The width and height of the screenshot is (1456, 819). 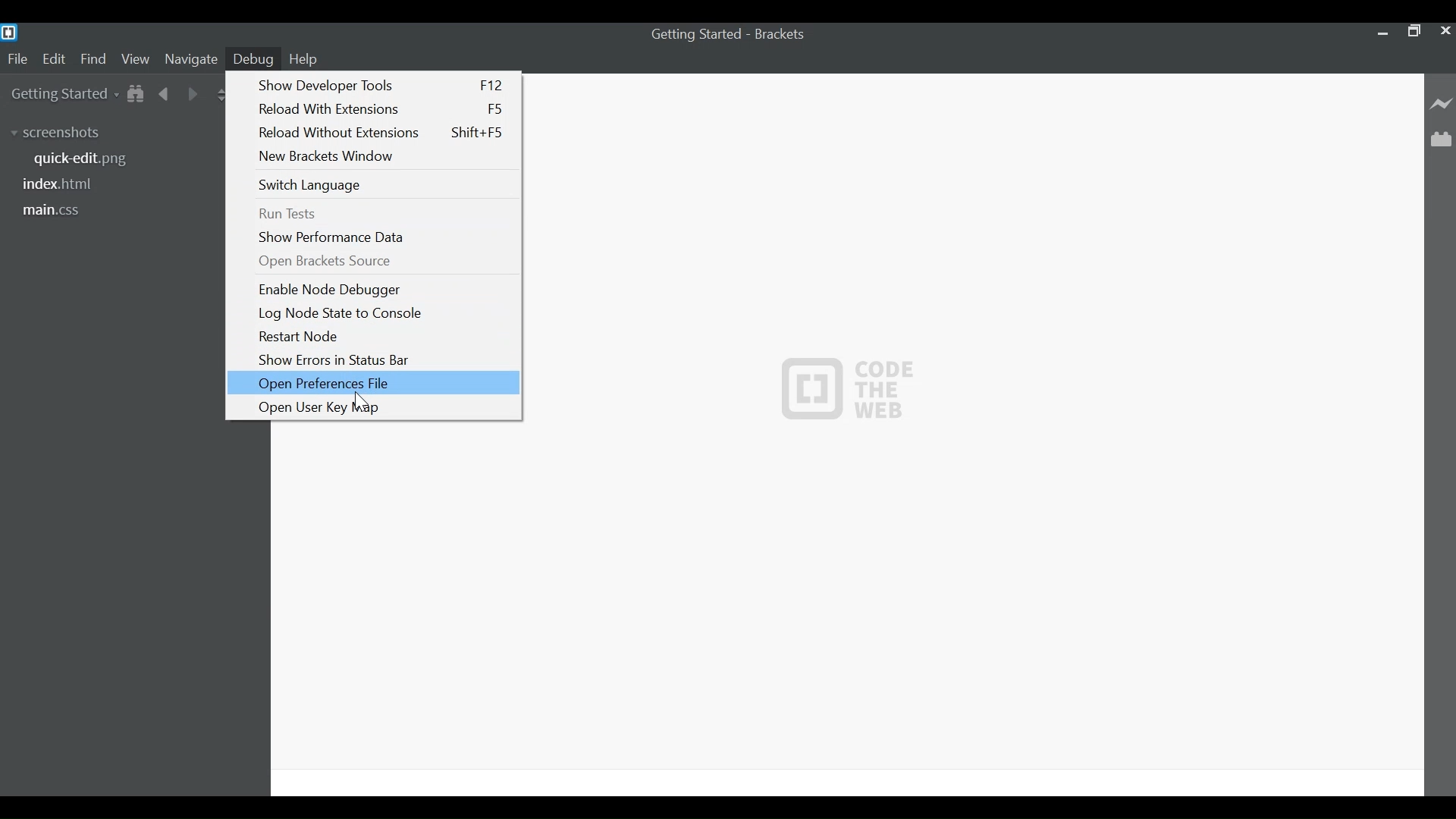 I want to click on Enable Node Debugger, so click(x=333, y=289).